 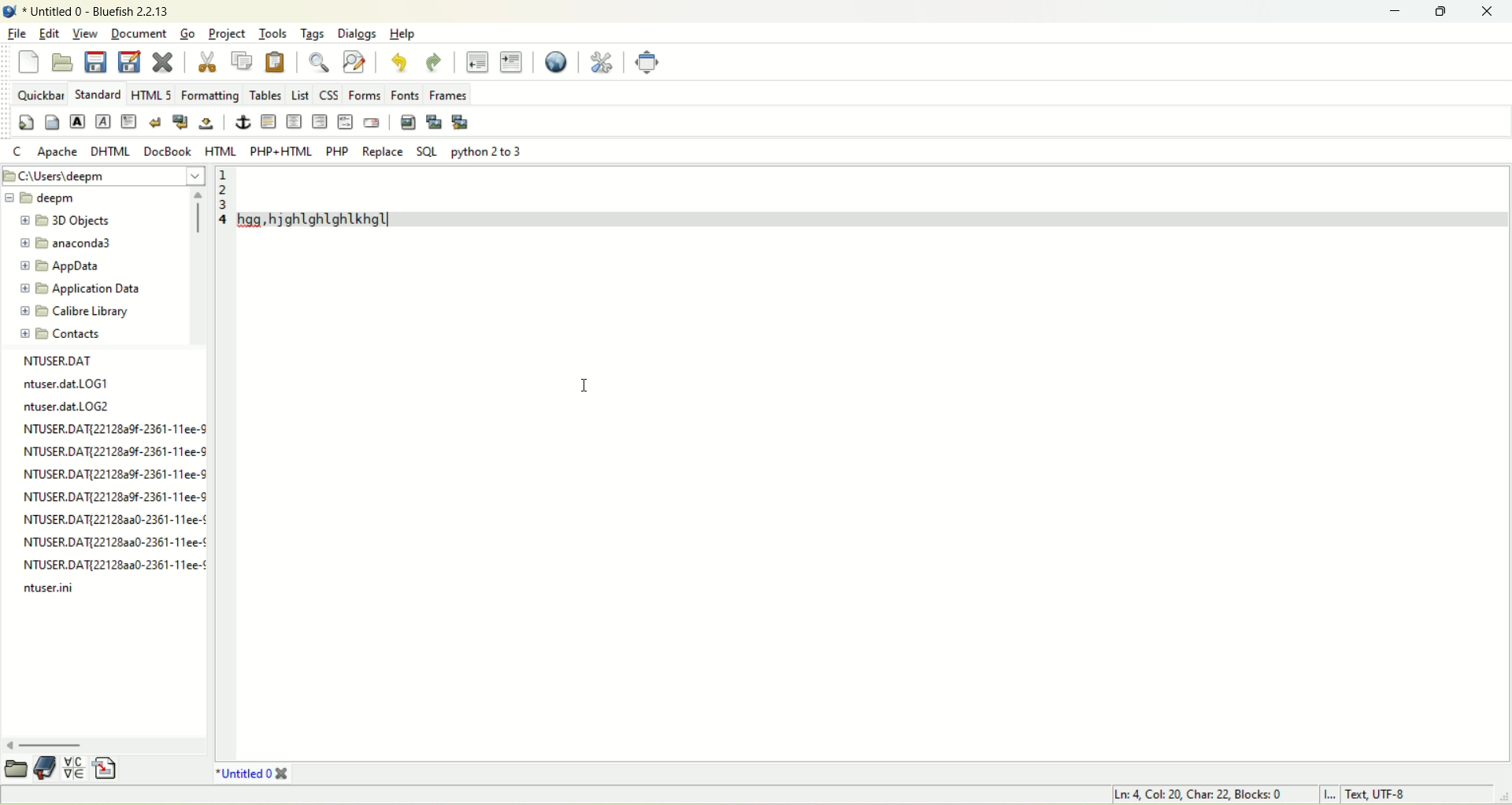 What do you see at coordinates (114, 494) in the screenshot?
I see `NTUSER.DAT{221282a9f-2361-11ee-S` at bounding box center [114, 494].